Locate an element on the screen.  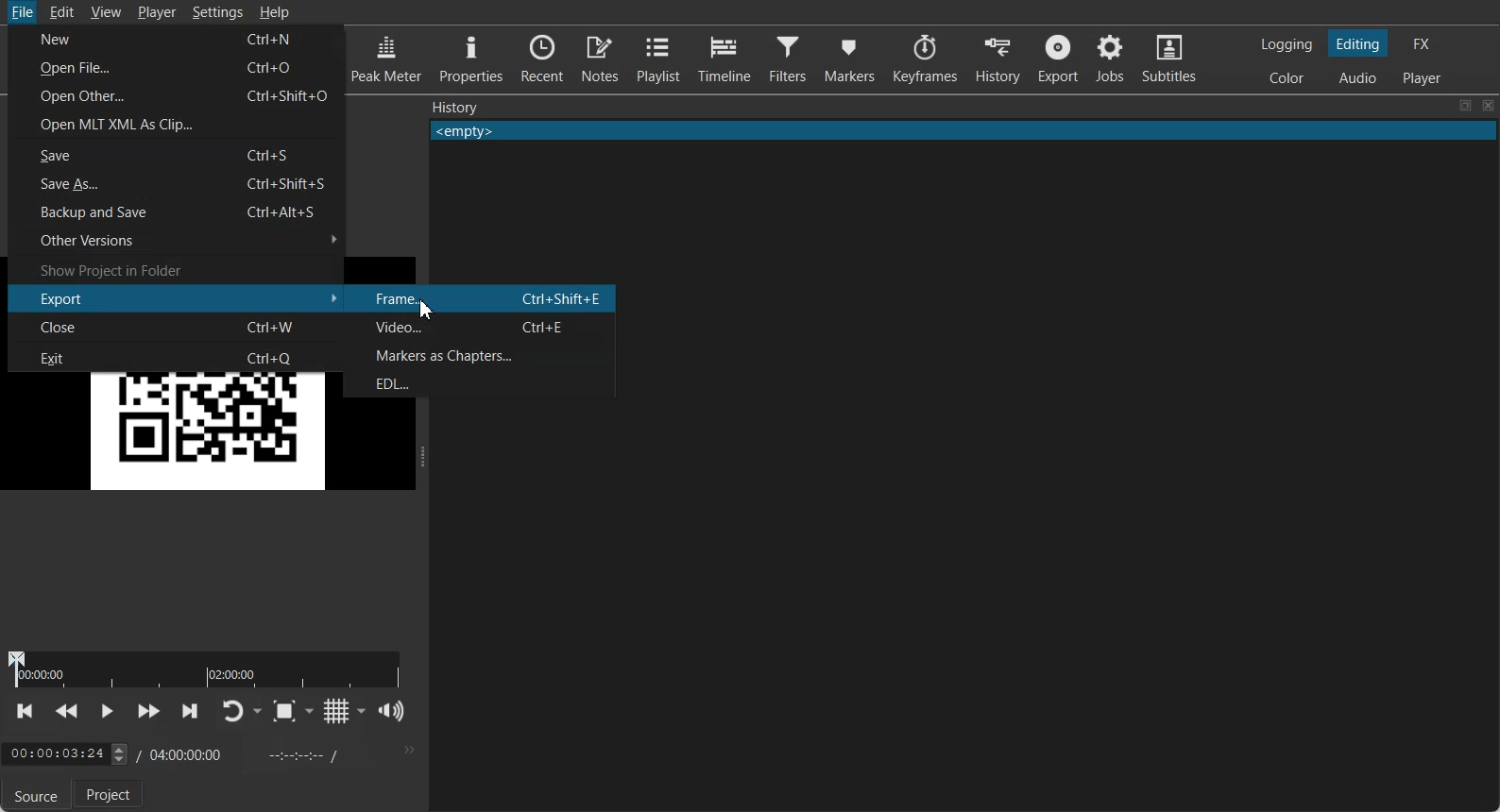
Source is located at coordinates (32, 796).